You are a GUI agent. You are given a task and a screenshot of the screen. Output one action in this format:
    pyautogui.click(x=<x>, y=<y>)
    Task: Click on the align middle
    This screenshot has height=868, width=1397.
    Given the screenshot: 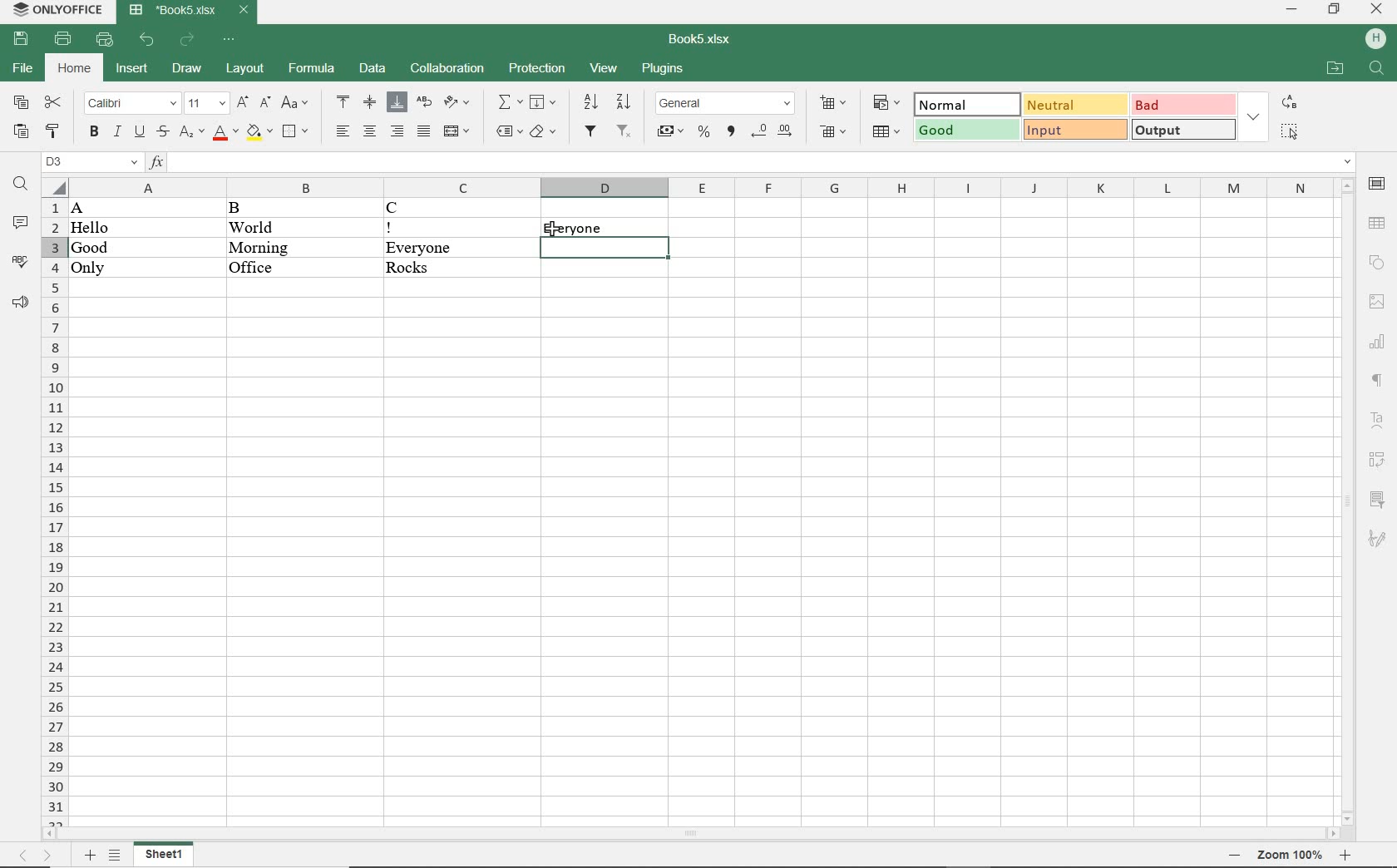 What is the action you would take?
    pyautogui.click(x=370, y=104)
    